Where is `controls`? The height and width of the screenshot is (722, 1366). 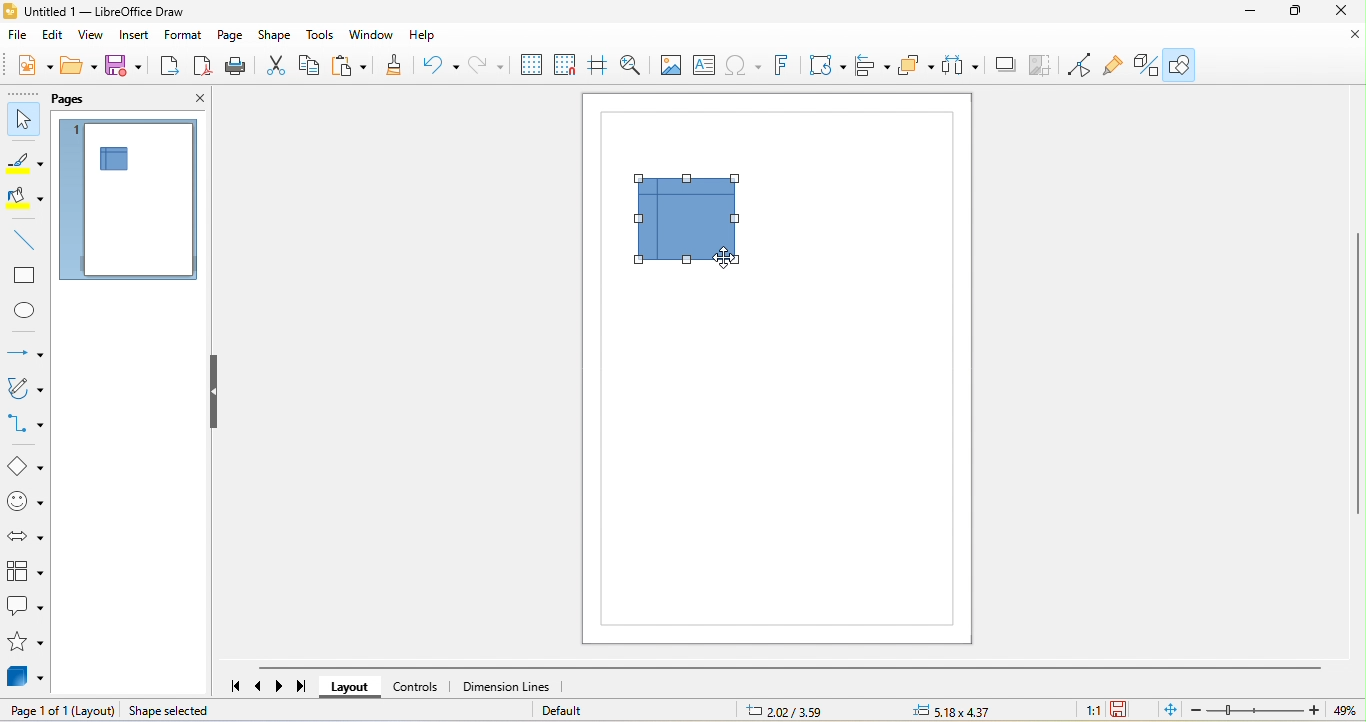 controls is located at coordinates (417, 686).